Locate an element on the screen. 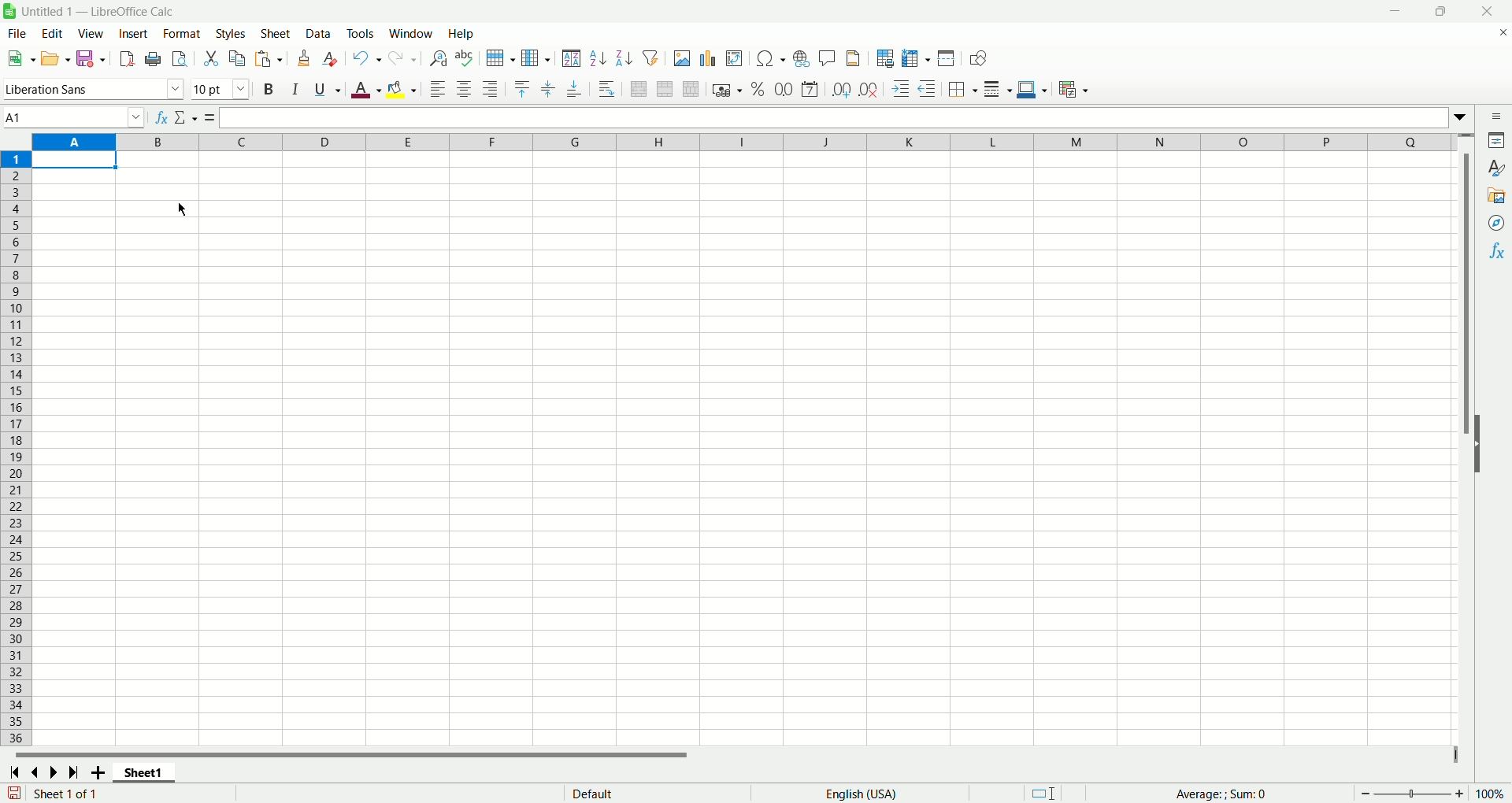 This screenshot has height=803, width=1512. wrap text is located at coordinates (608, 89).